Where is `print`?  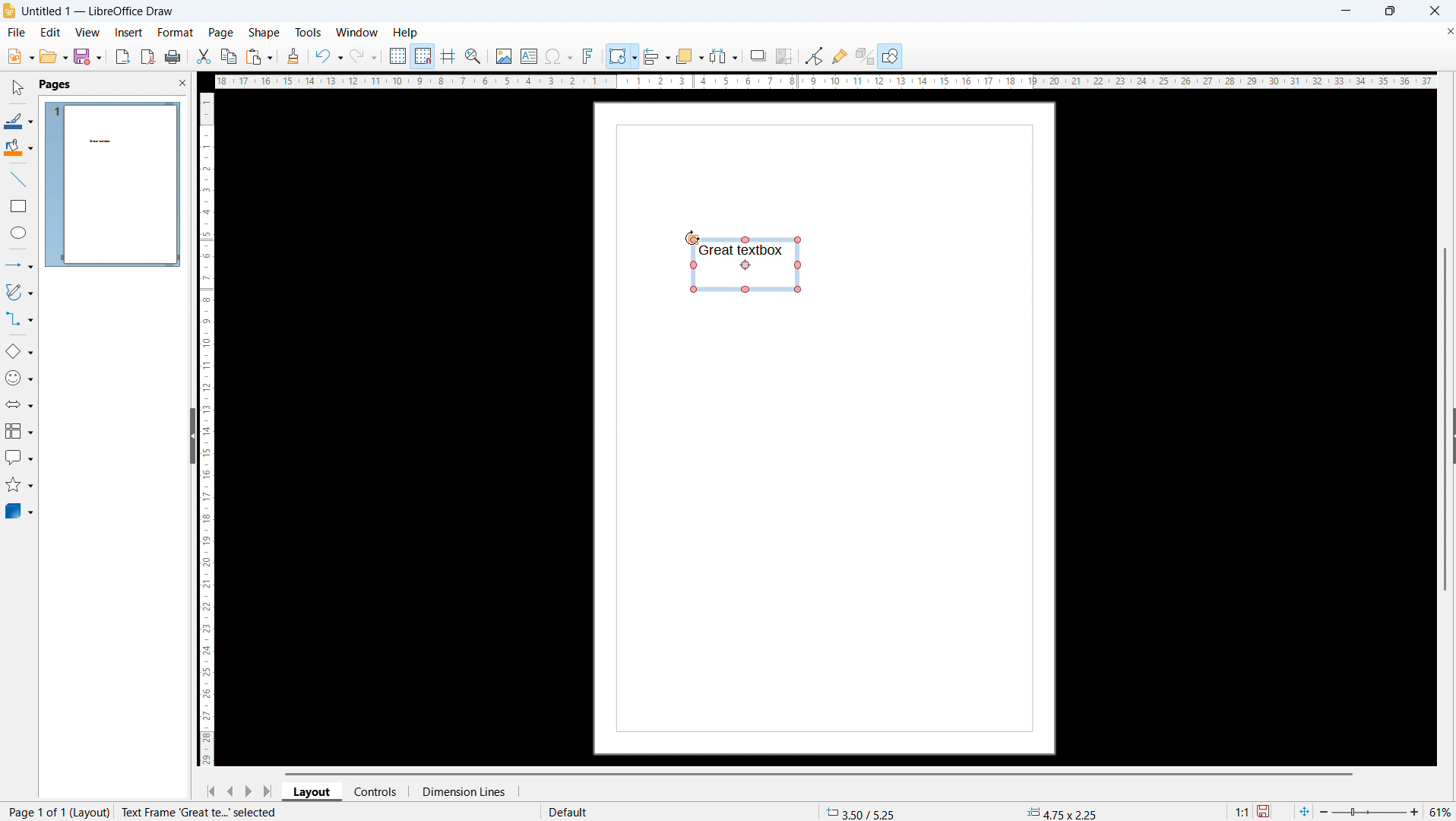 print is located at coordinates (173, 57).